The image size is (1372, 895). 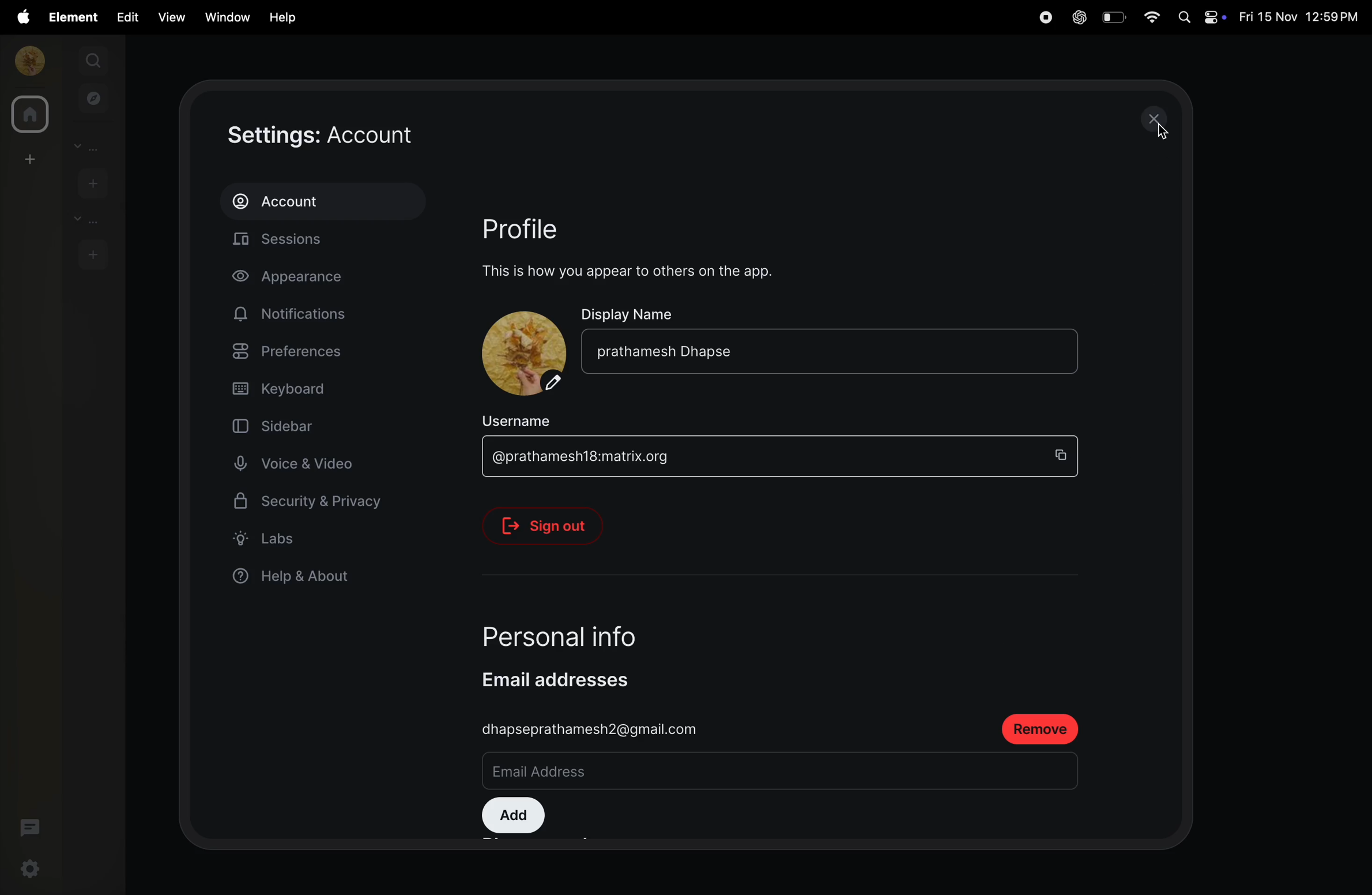 What do you see at coordinates (314, 354) in the screenshot?
I see `prefrences` at bounding box center [314, 354].